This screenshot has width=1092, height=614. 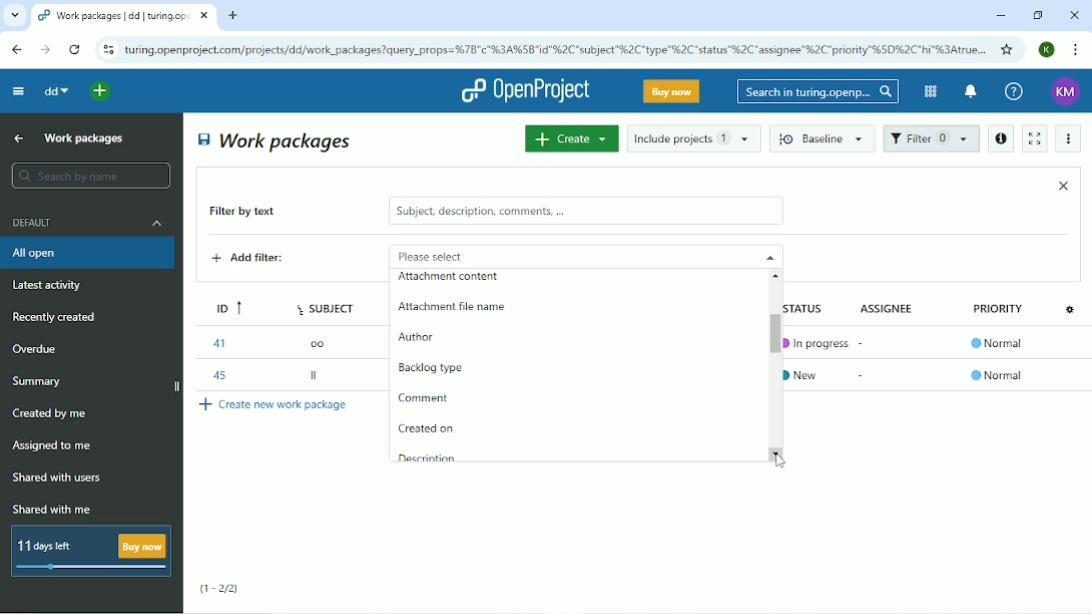 I want to click on Buy now, so click(x=672, y=91).